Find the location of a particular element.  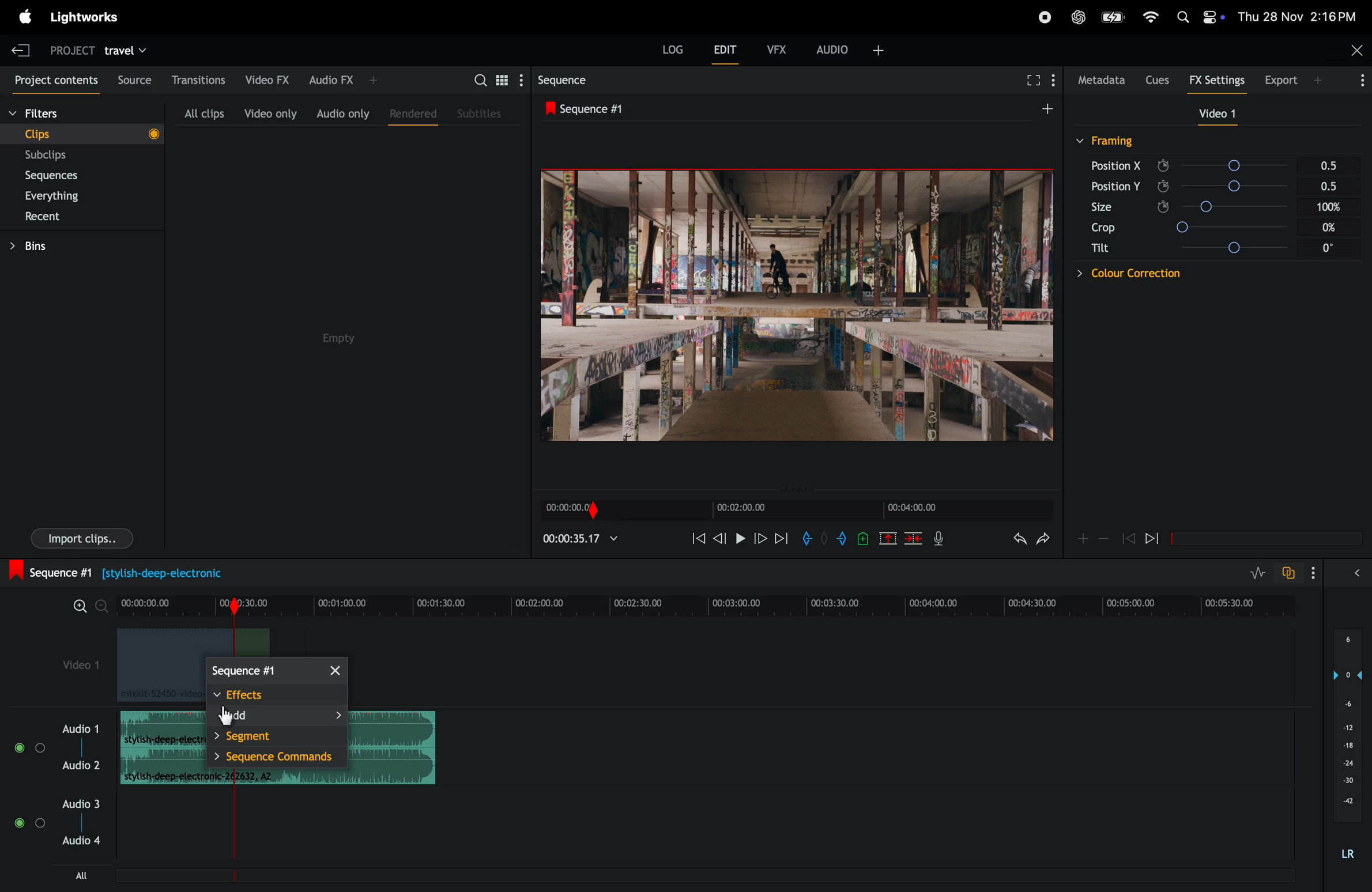

add is located at coordinates (276, 716).